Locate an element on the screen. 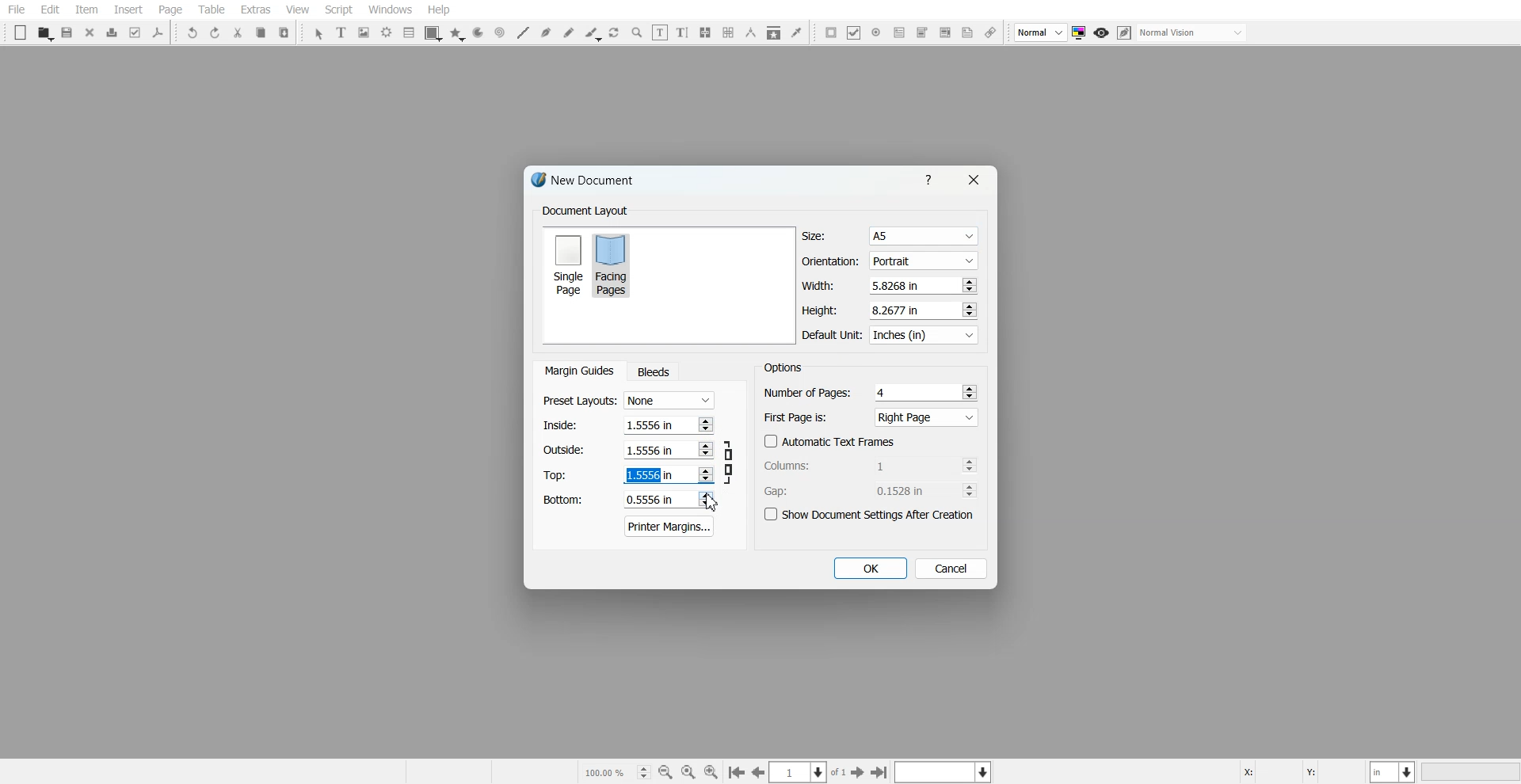 The image size is (1521, 784). Undo is located at coordinates (193, 32).